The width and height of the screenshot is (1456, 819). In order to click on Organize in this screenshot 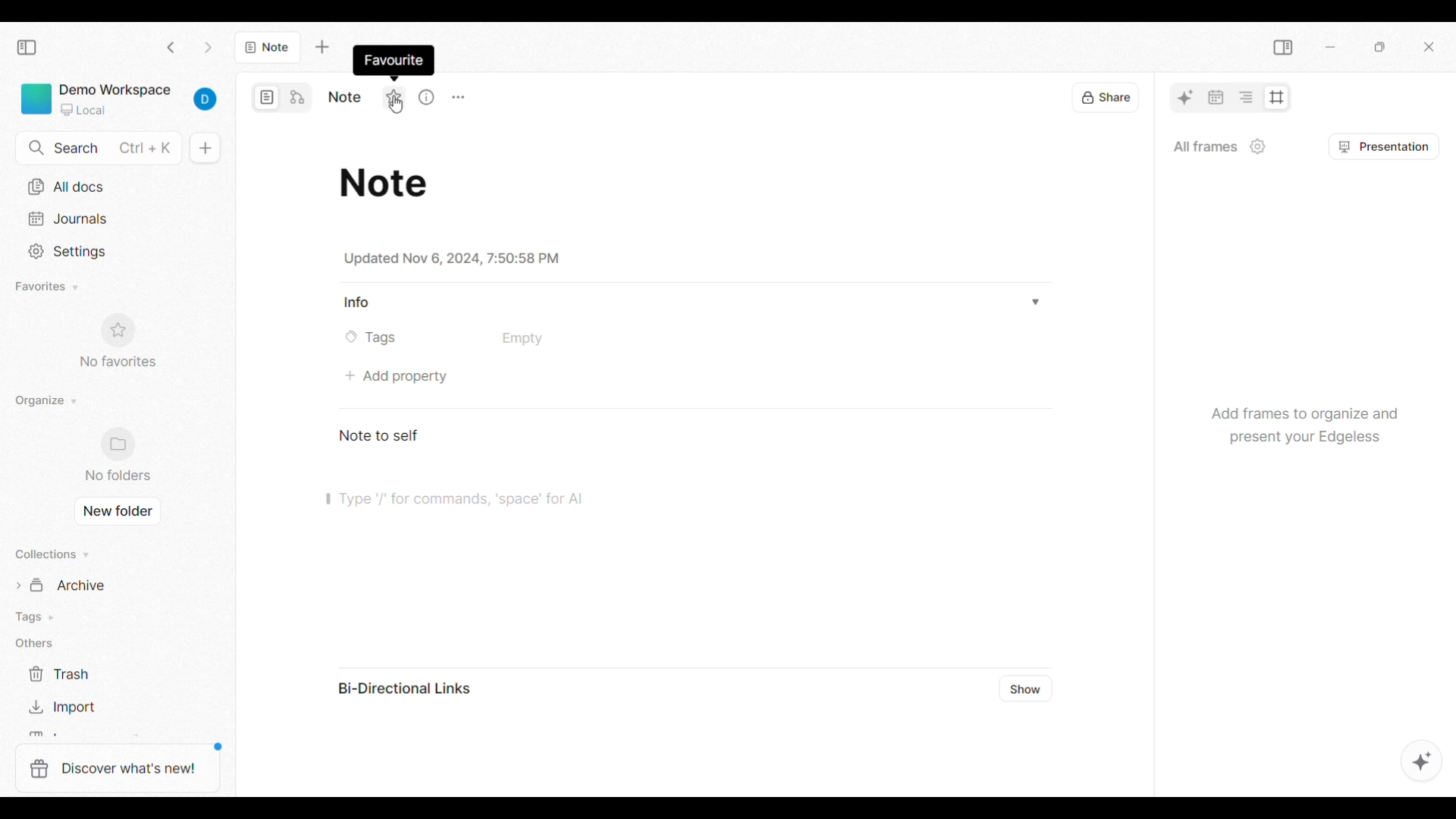, I will do `click(53, 401)`.